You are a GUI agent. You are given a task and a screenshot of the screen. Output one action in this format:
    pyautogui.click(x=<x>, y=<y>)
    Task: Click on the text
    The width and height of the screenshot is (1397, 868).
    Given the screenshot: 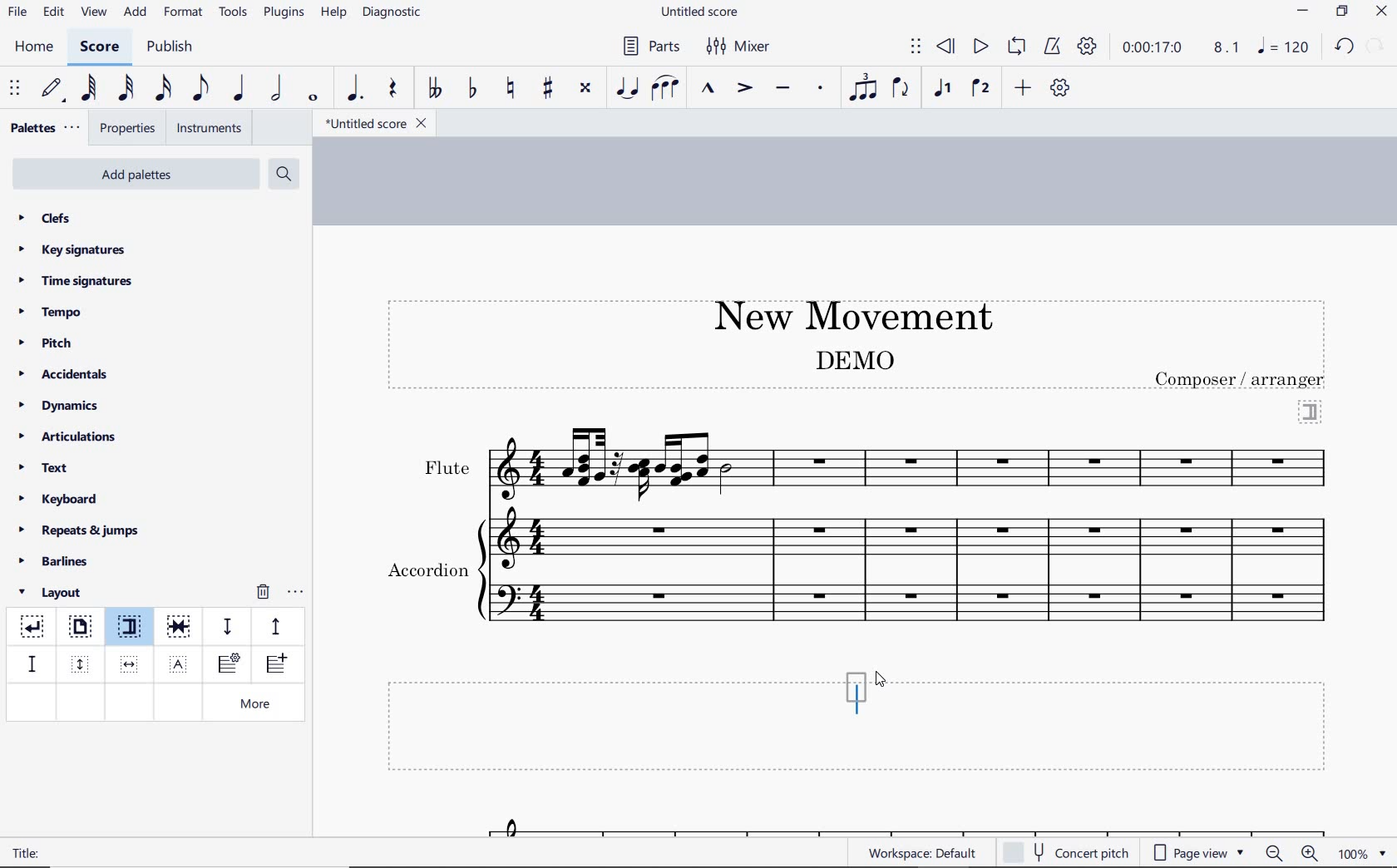 What is the action you would take?
    pyautogui.click(x=853, y=359)
    